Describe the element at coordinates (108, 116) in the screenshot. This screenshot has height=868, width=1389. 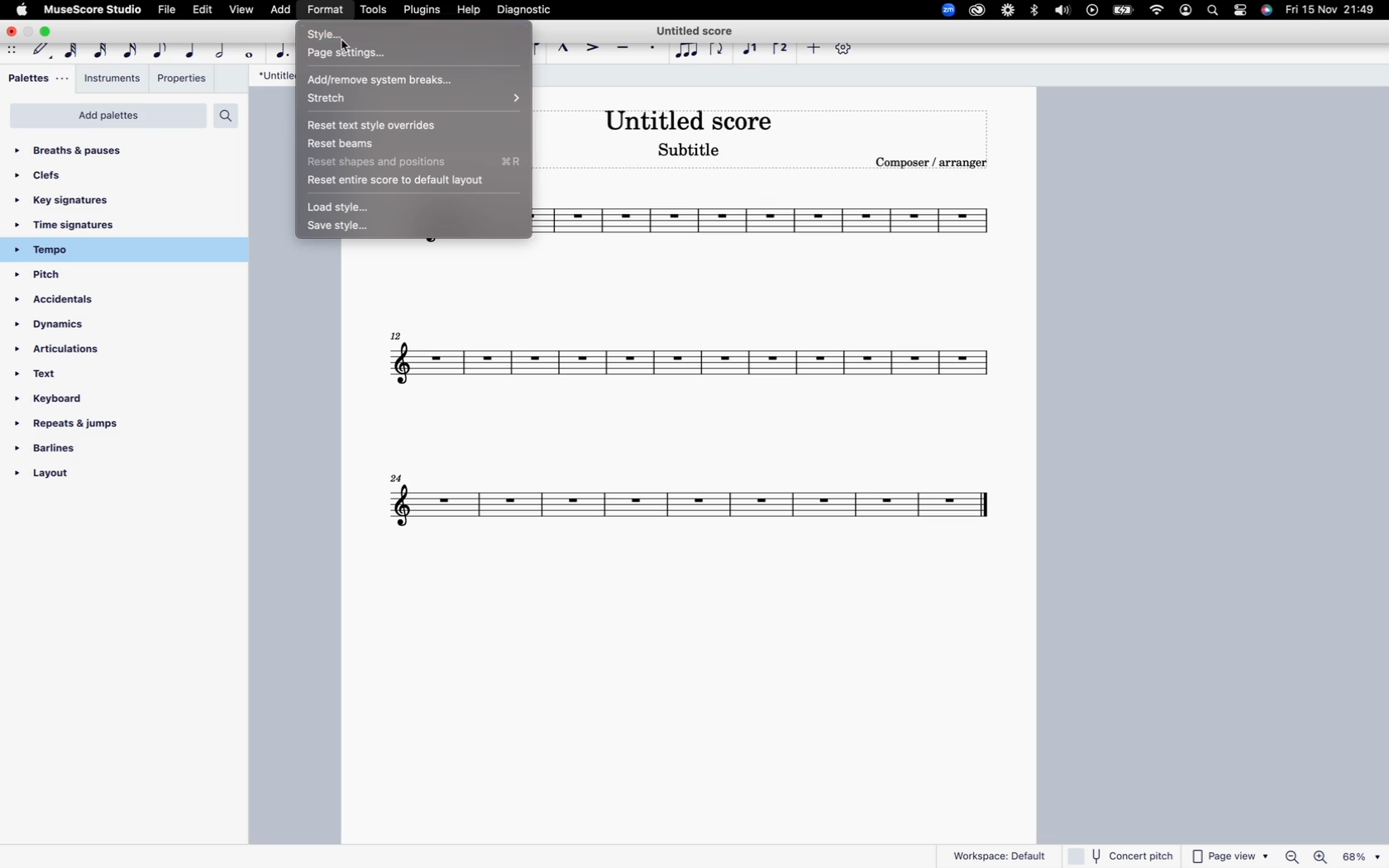
I see `add palettes` at that location.